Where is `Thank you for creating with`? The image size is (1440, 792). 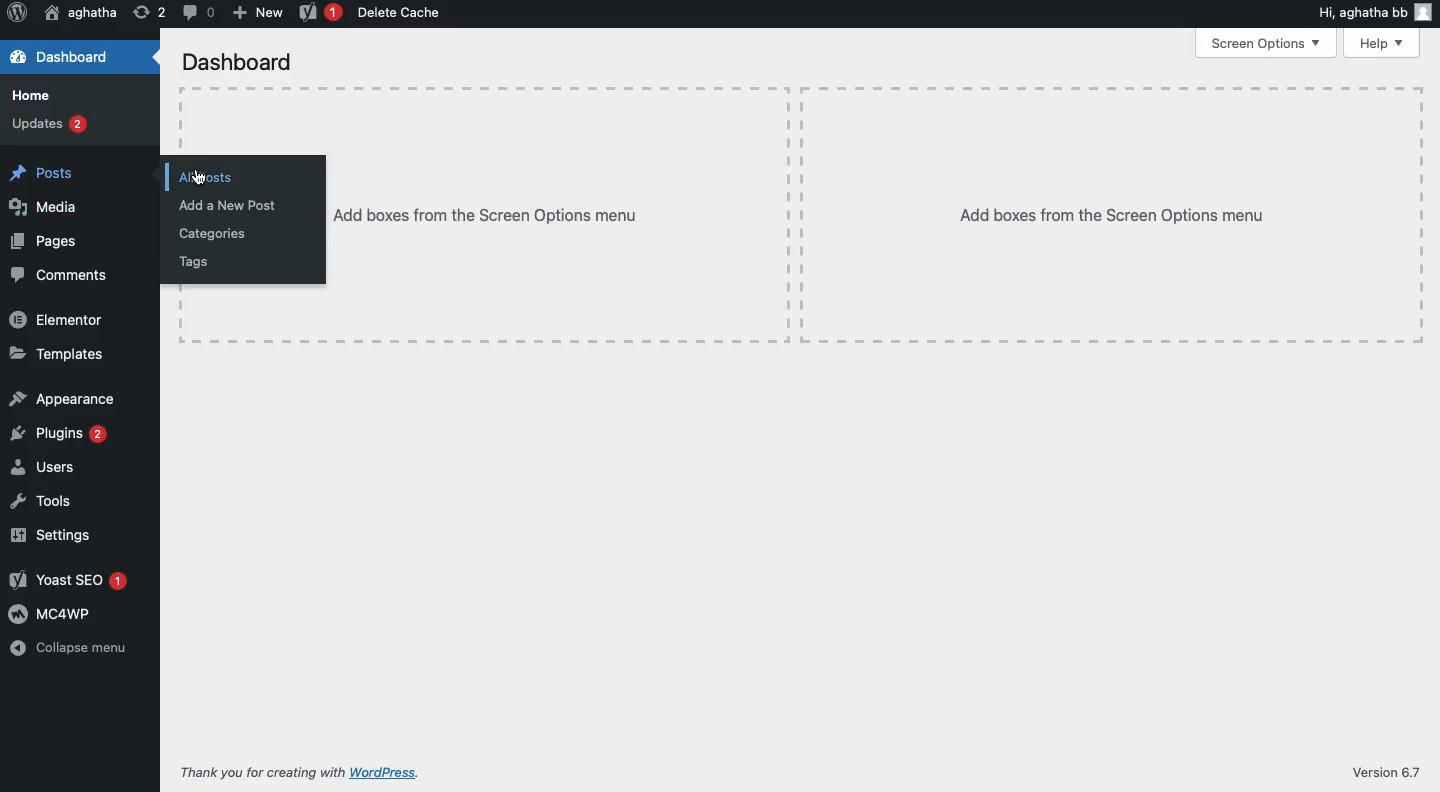 Thank you for creating with is located at coordinates (259, 769).